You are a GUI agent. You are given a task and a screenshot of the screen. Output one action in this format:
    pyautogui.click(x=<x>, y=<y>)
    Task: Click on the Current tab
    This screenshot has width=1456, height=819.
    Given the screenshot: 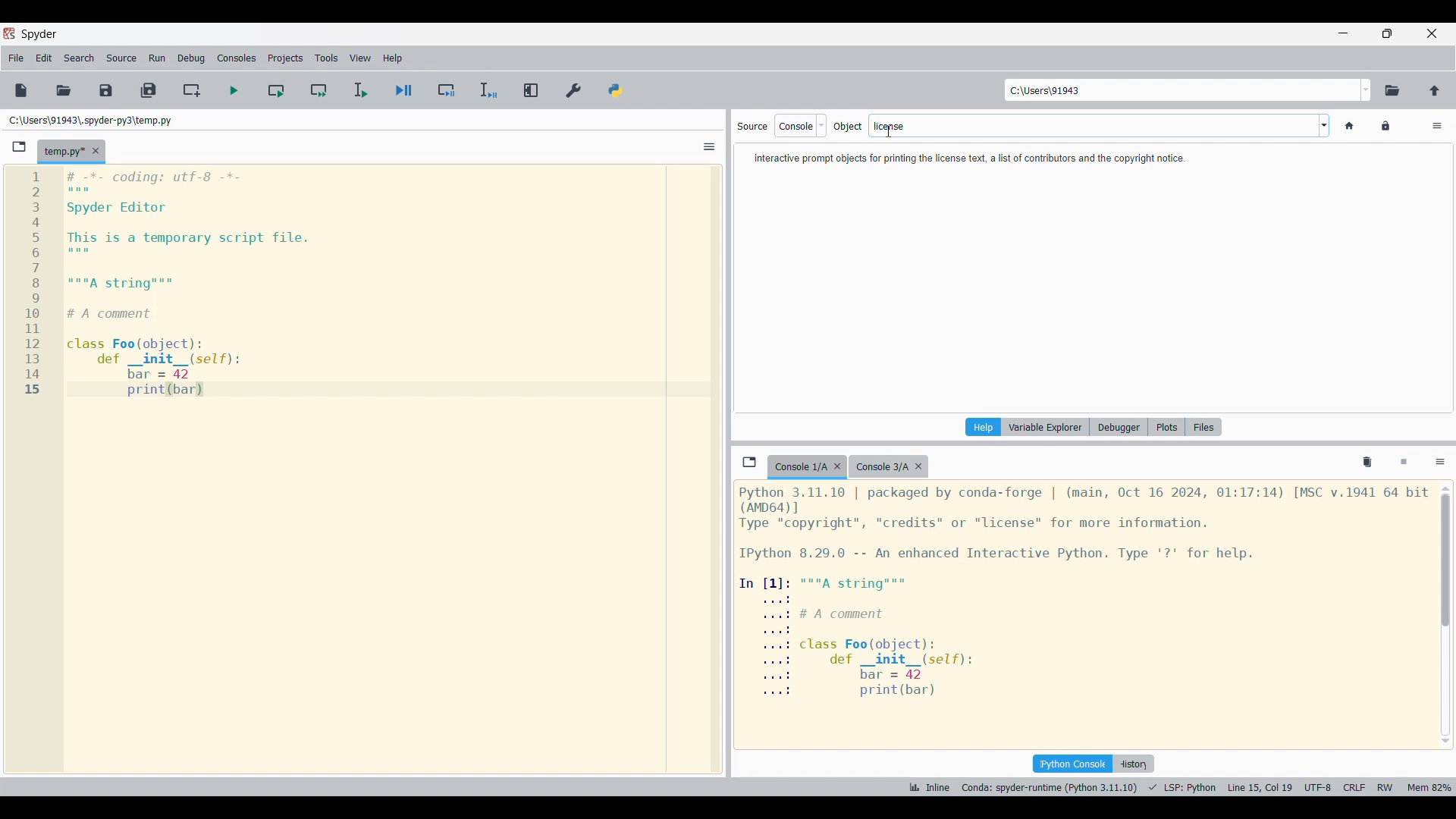 What is the action you would take?
    pyautogui.click(x=62, y=152)
    